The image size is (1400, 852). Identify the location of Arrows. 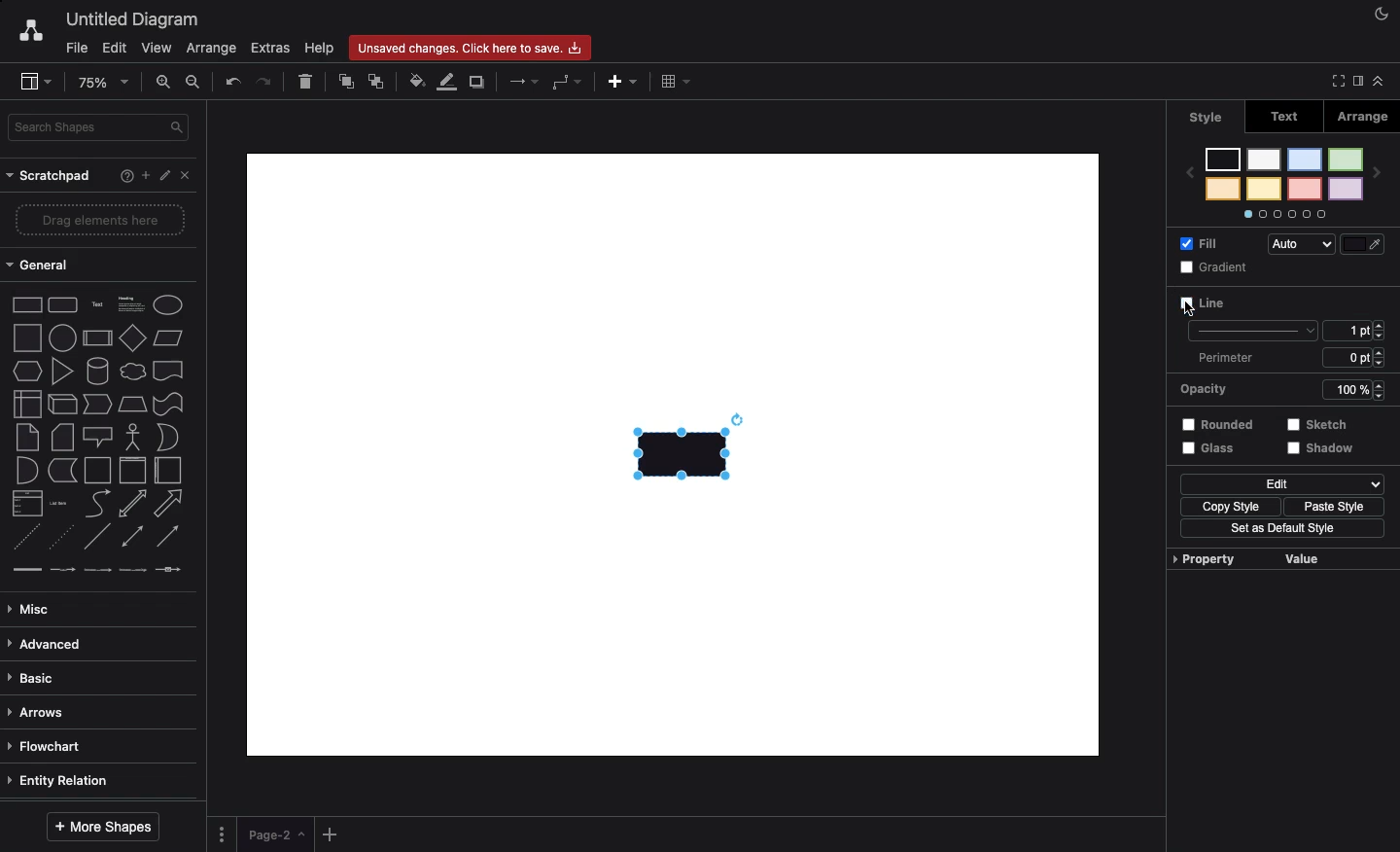
(519, 81).